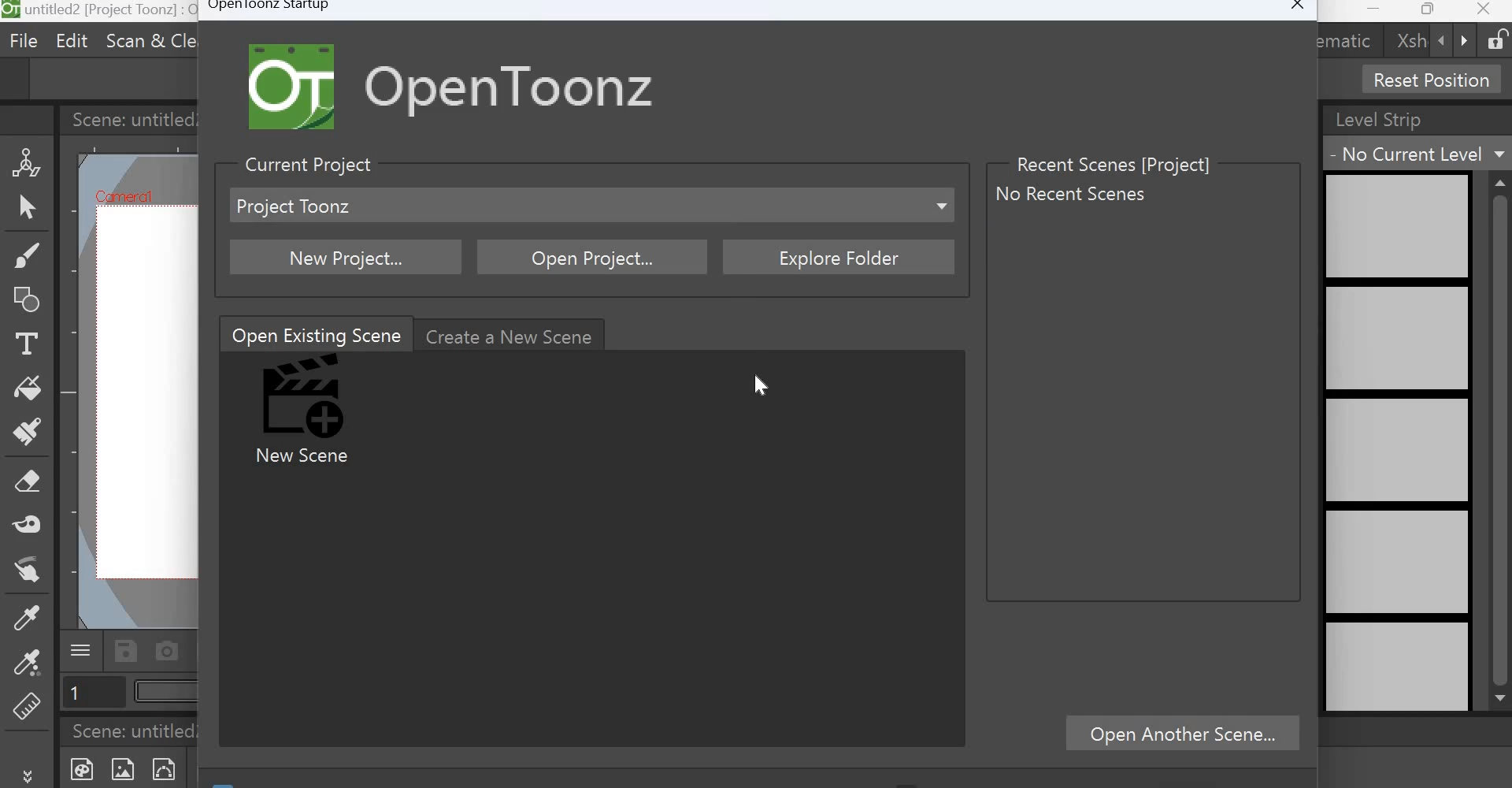 This screenshot has width=1512, height=788. I want to click on Lock, so click(1494, 40).